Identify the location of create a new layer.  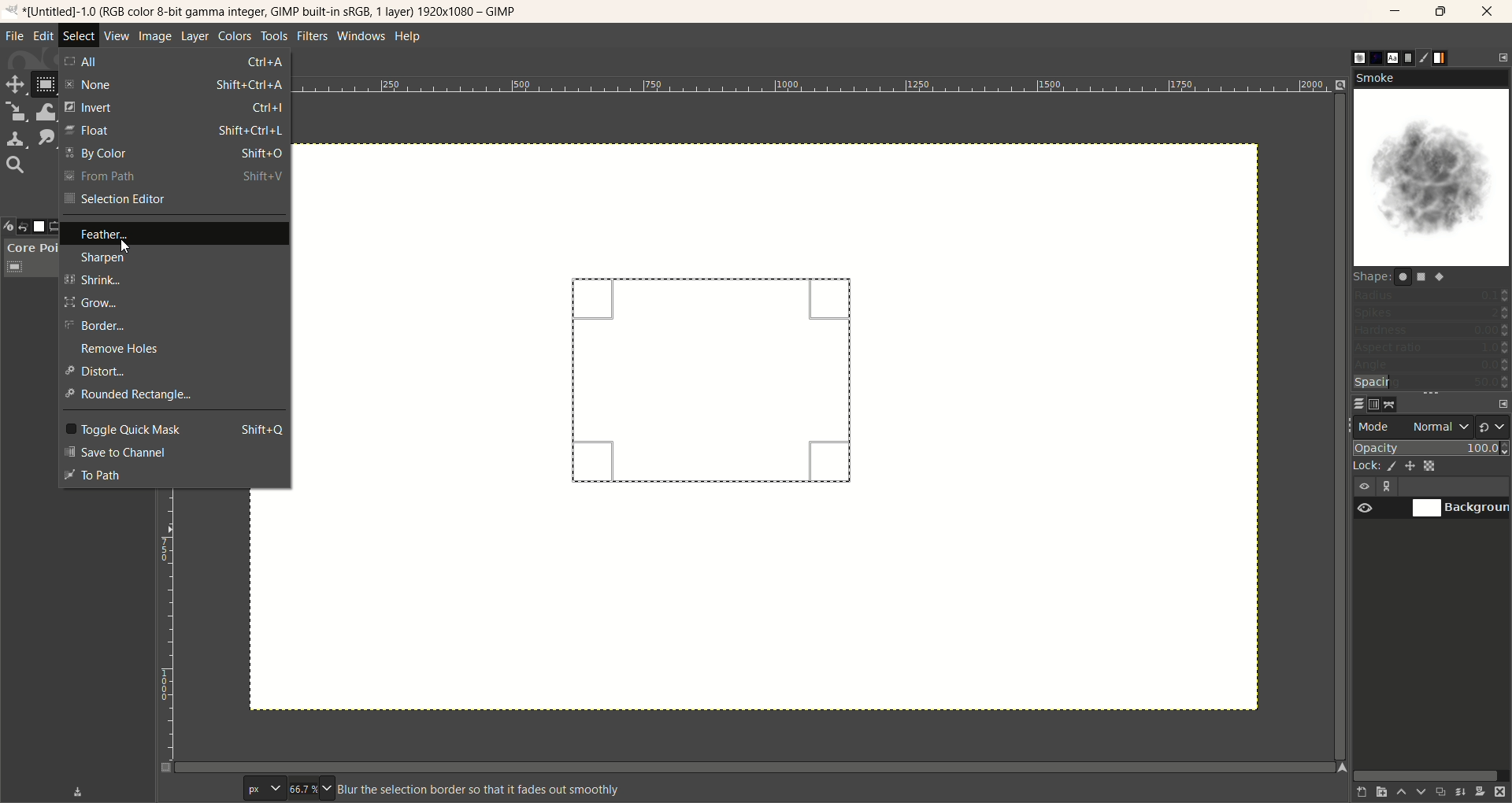
(1381, 793).